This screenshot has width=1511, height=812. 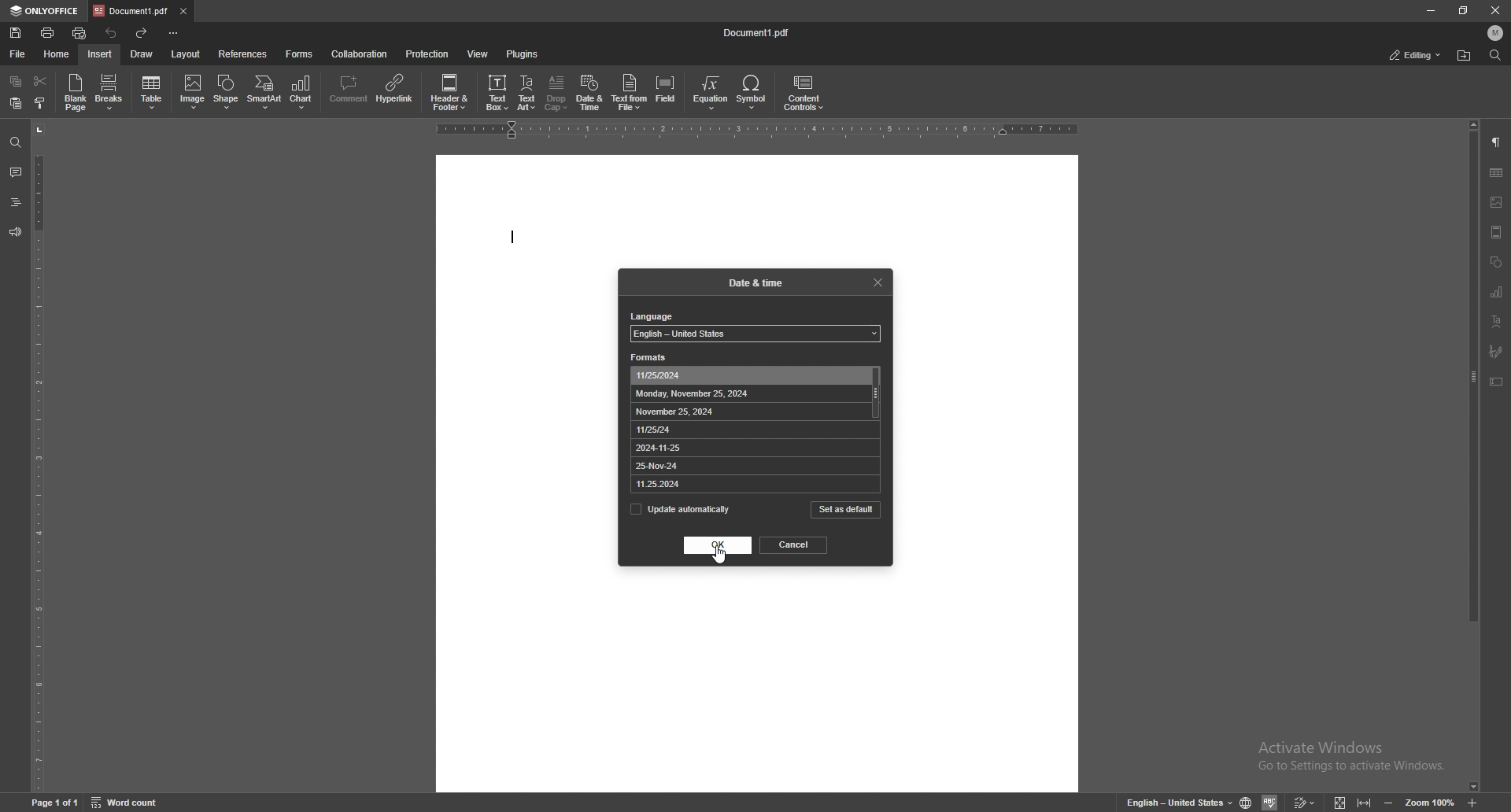 What do you see at coordinates (755, 334) in the screenshot?
I see `language` at bounding box center [755, 334].